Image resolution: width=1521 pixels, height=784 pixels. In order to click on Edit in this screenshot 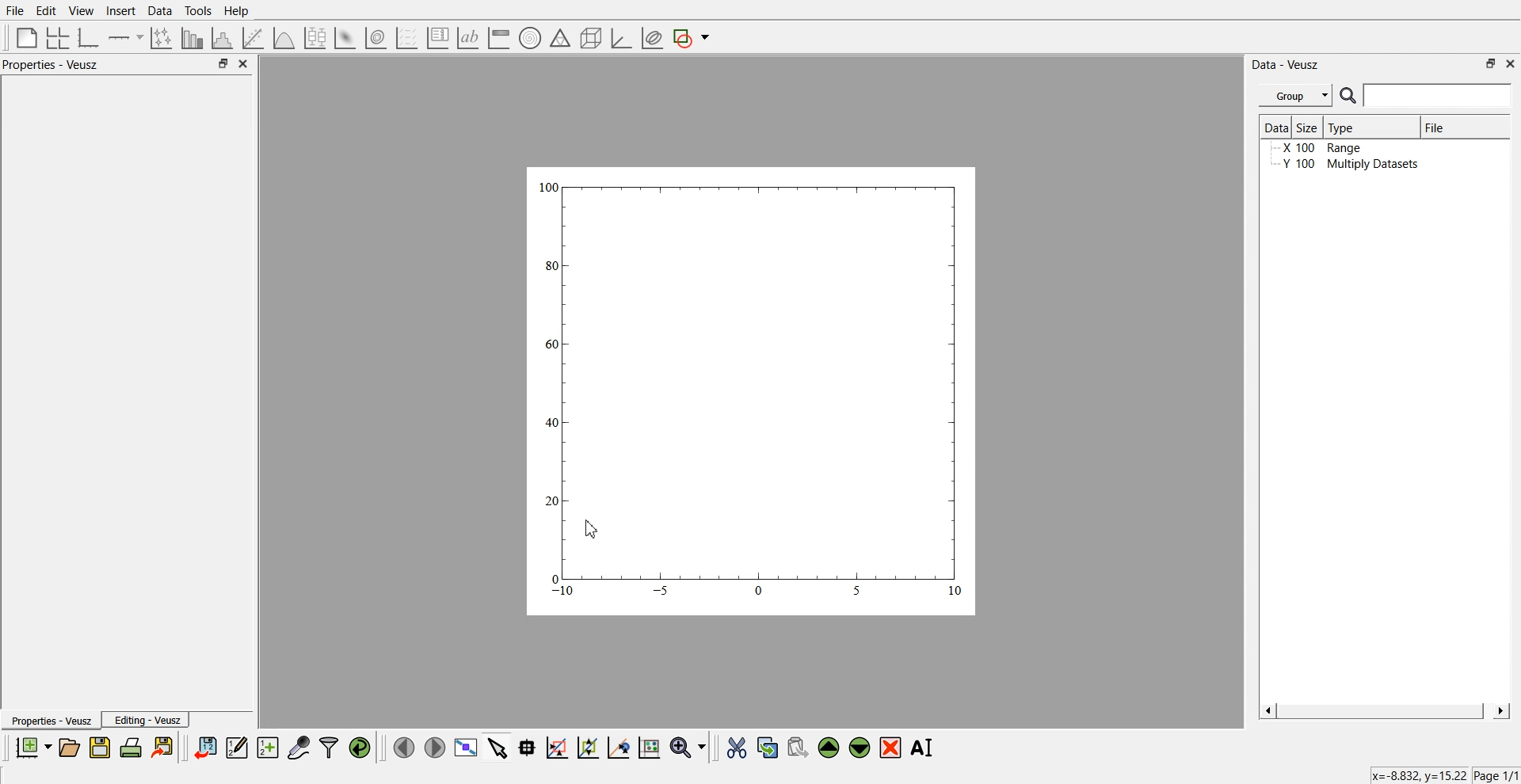, I will do `click(47, 10)`.